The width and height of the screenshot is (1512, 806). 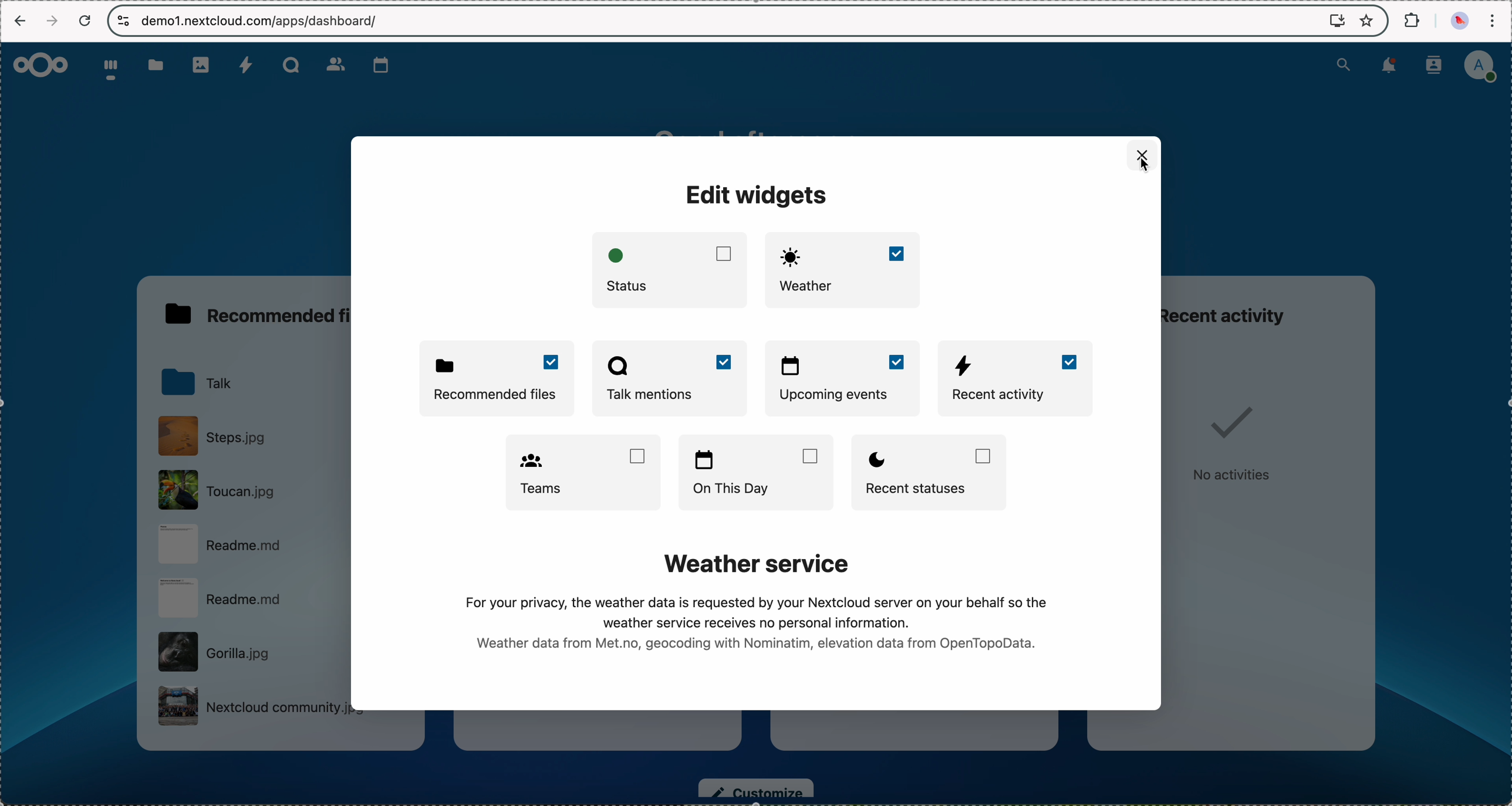 What do you see at coordinates (761, 605) in the screenshot?
I see `weather service note` at bounding box center [761, 605].